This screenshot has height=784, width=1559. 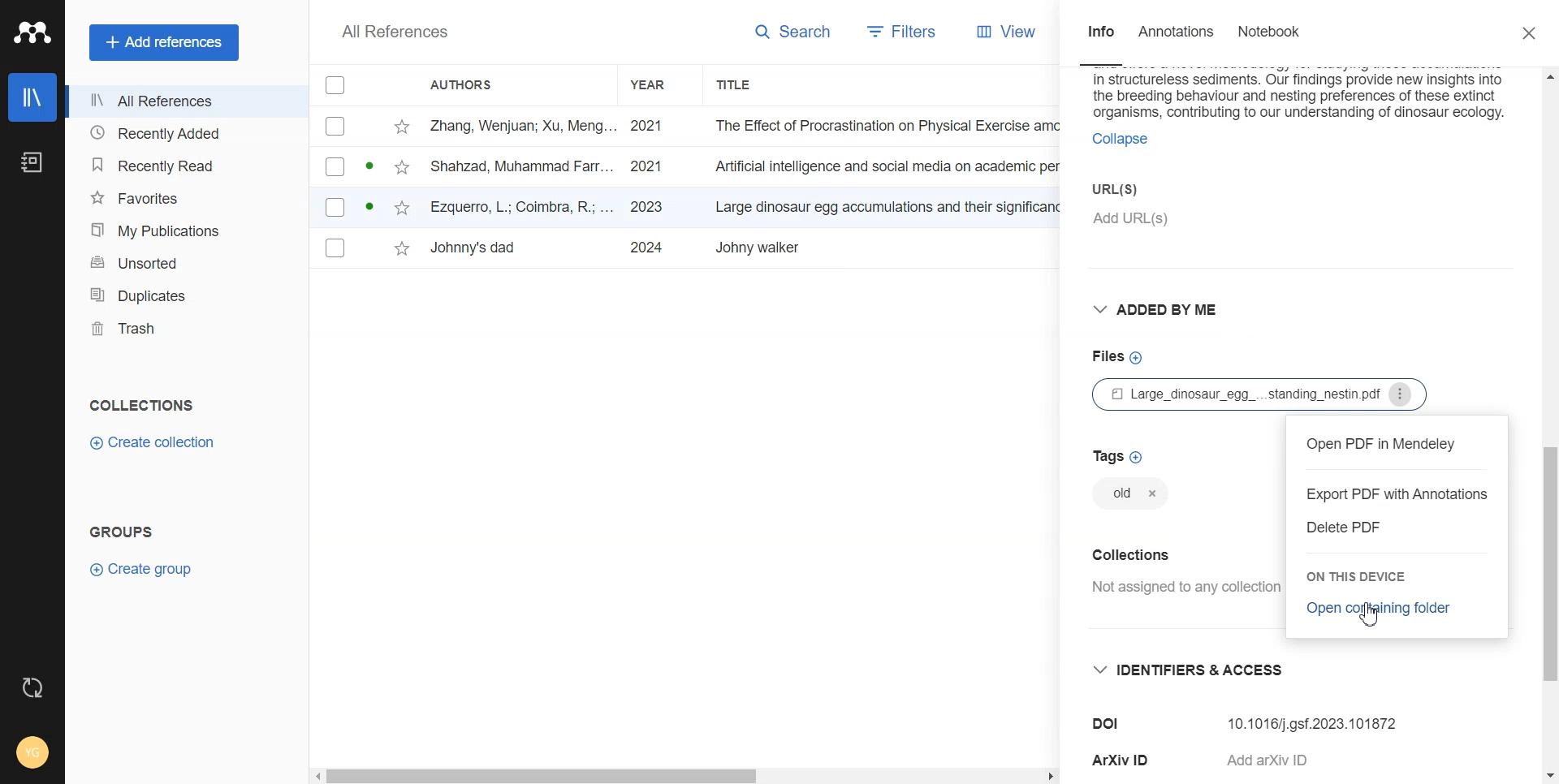 I want to click on All Reference, so click(x=391, y=32).